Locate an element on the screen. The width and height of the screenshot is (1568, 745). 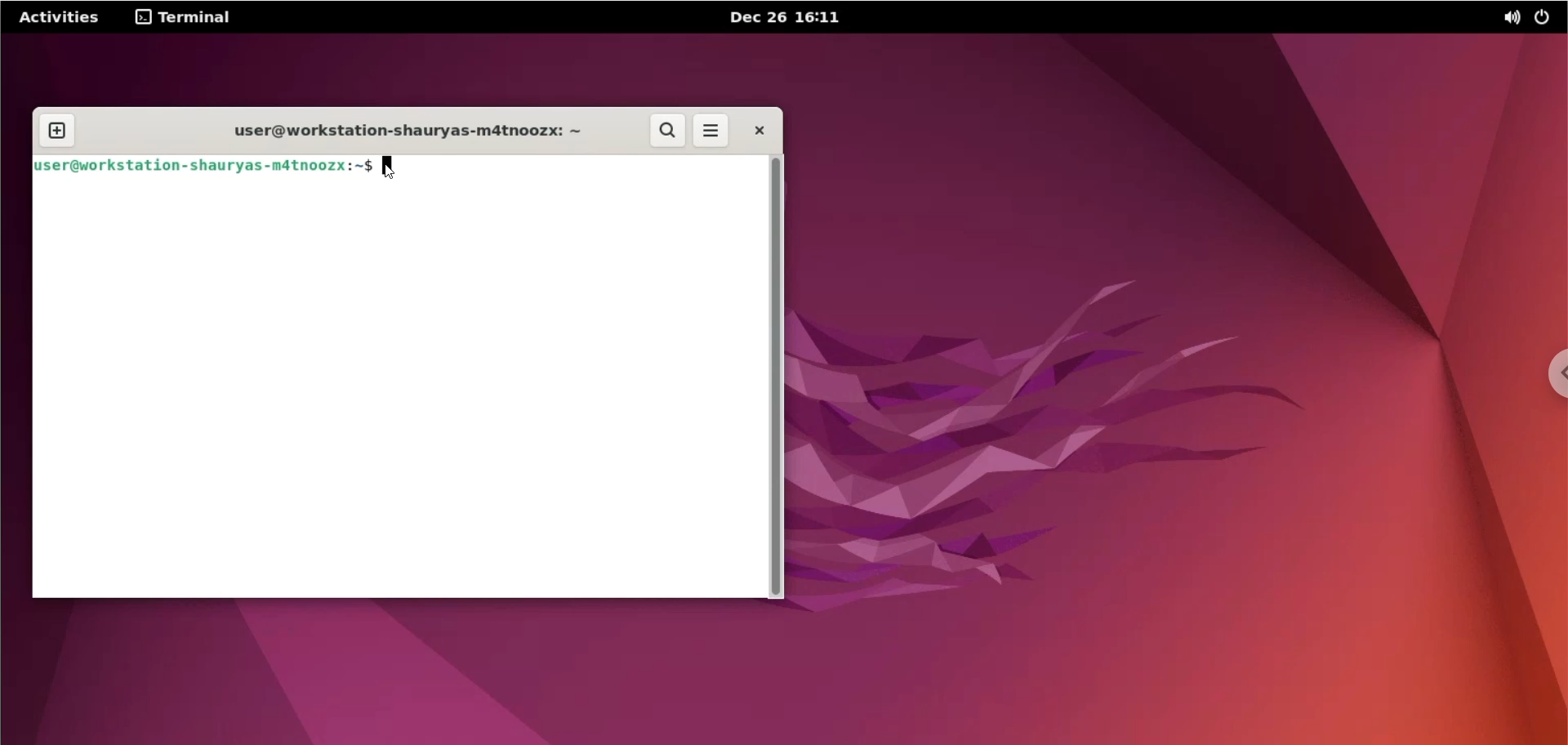
chrome options is located at coordinates (1557, 370).